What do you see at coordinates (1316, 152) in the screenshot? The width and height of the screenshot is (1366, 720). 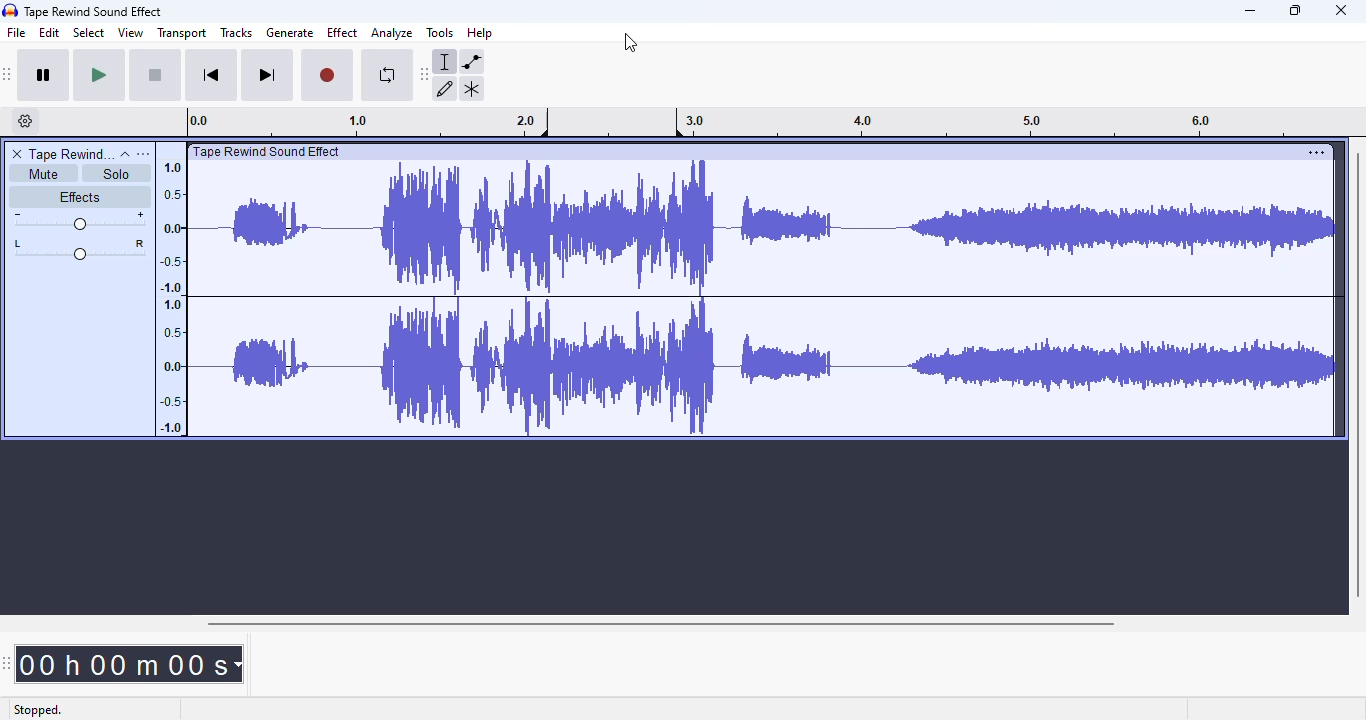 I see `settings` at bounding box center [1316, 152].